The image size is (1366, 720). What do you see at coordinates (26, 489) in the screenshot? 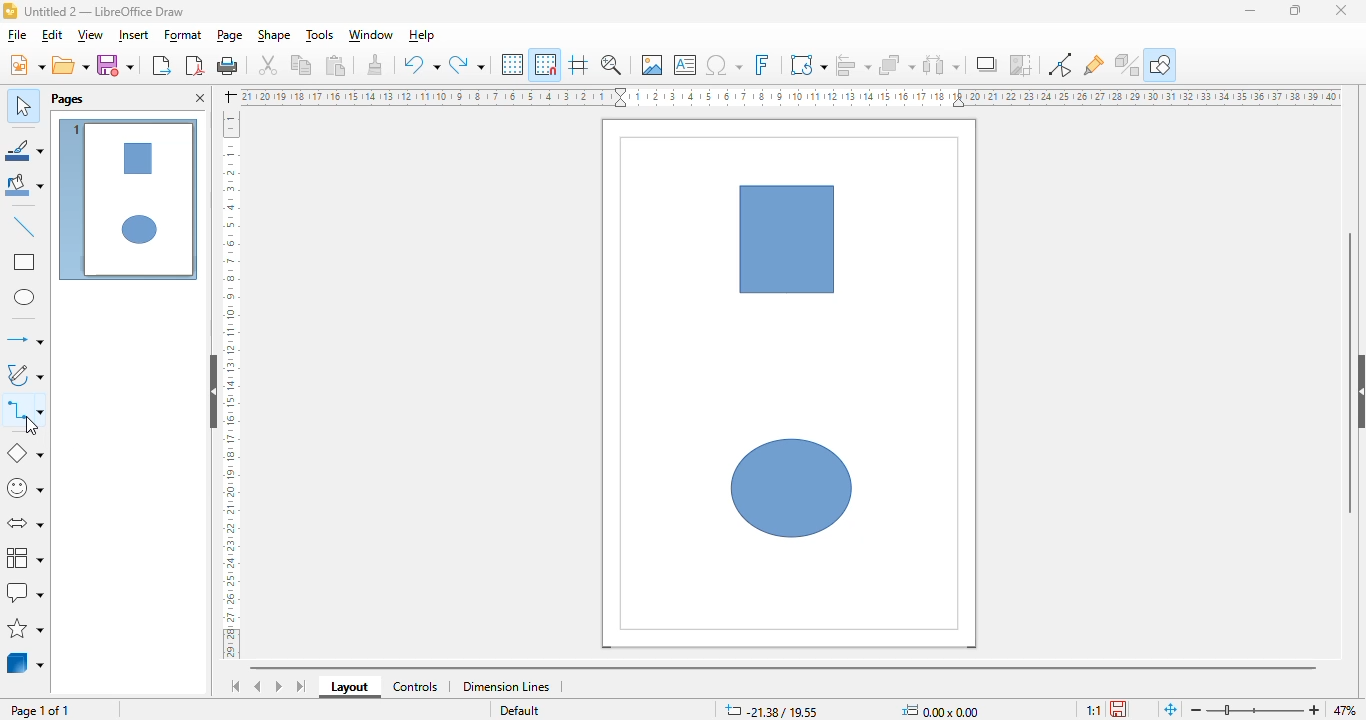
I see `symbol shapes` at bounding box center [26, 489].